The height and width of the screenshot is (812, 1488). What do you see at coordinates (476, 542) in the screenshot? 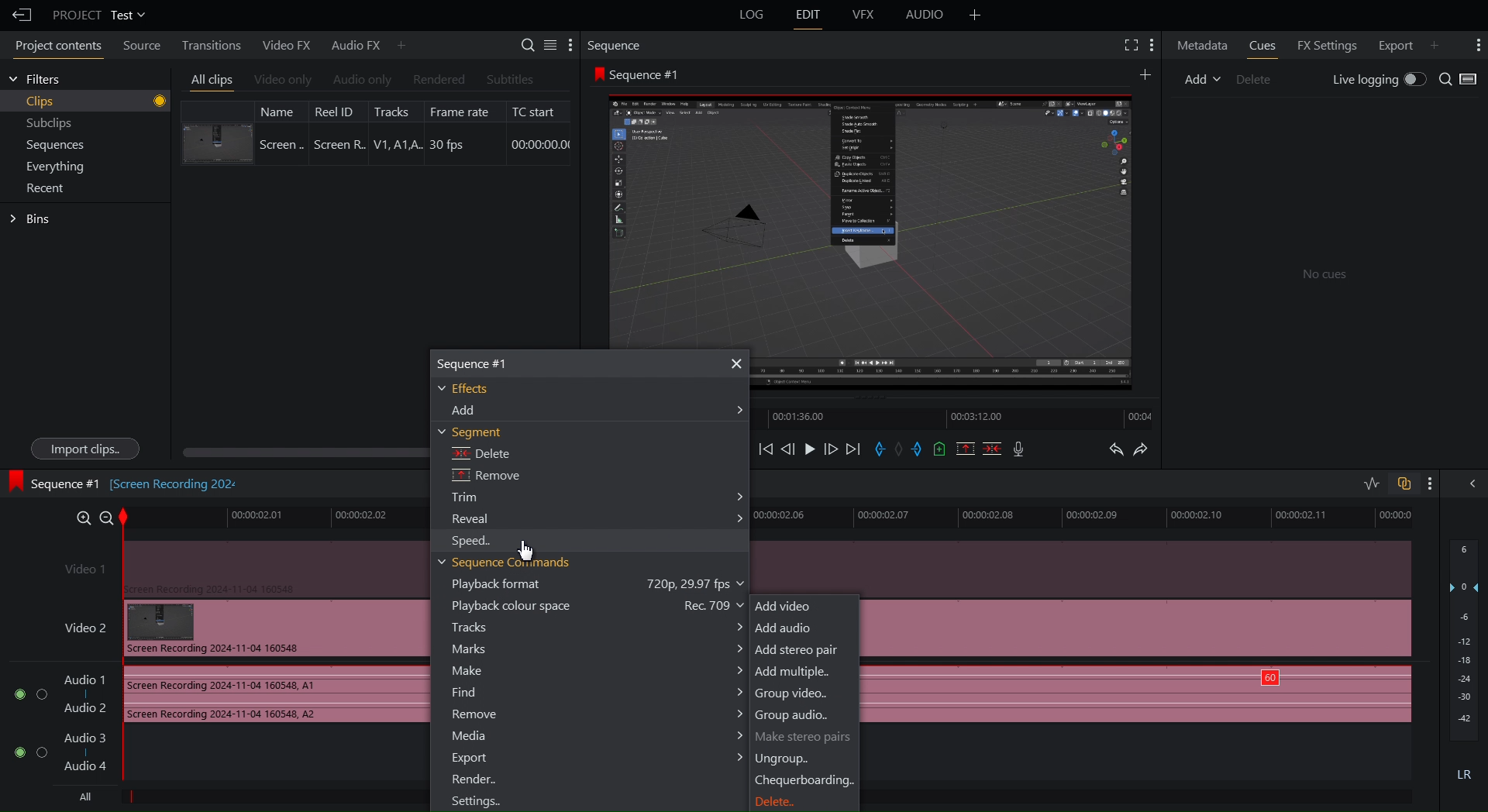
I see `Speed` at bounding box center [476, 542].